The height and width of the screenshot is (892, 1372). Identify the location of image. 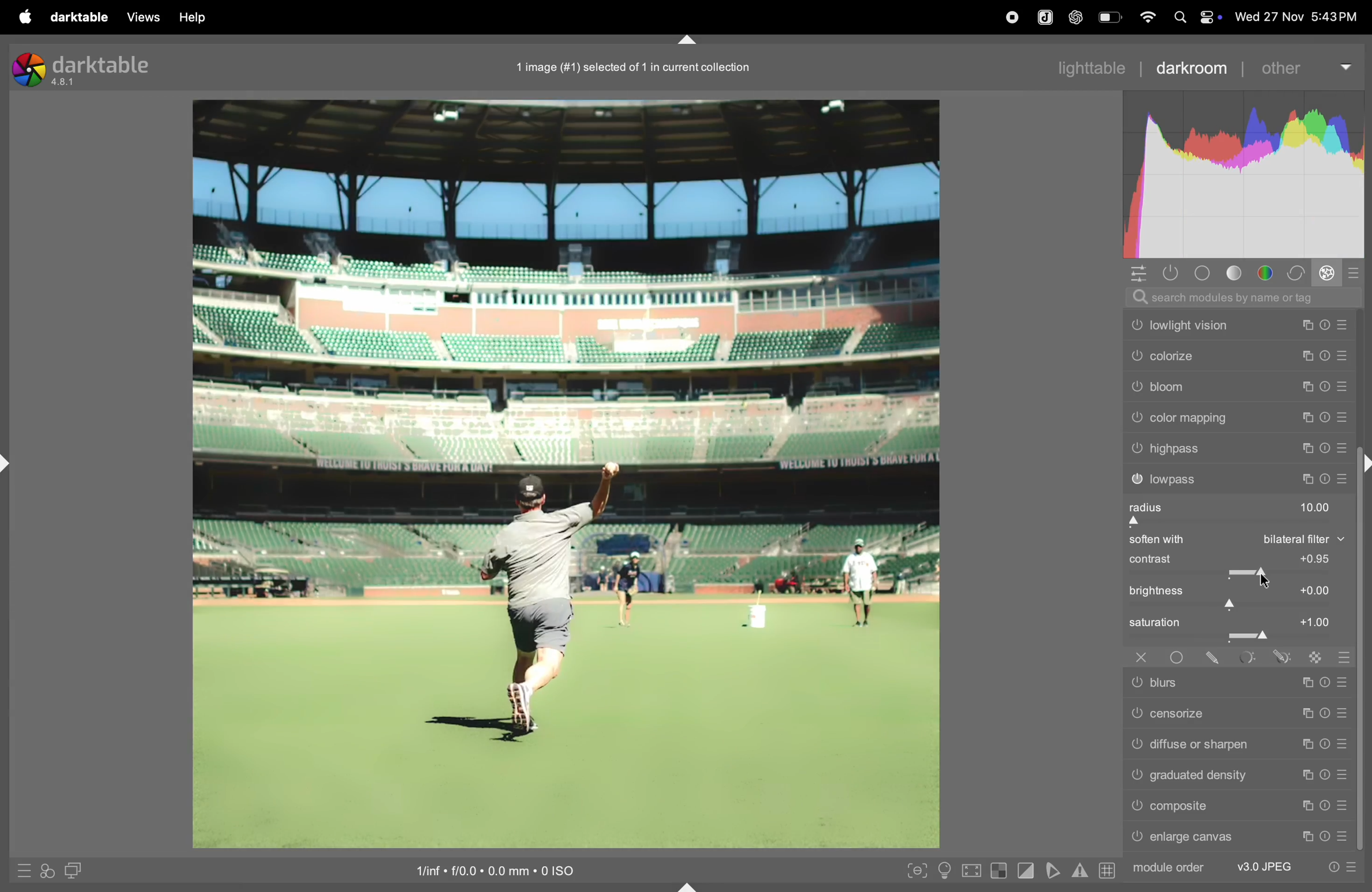
(566, 471).